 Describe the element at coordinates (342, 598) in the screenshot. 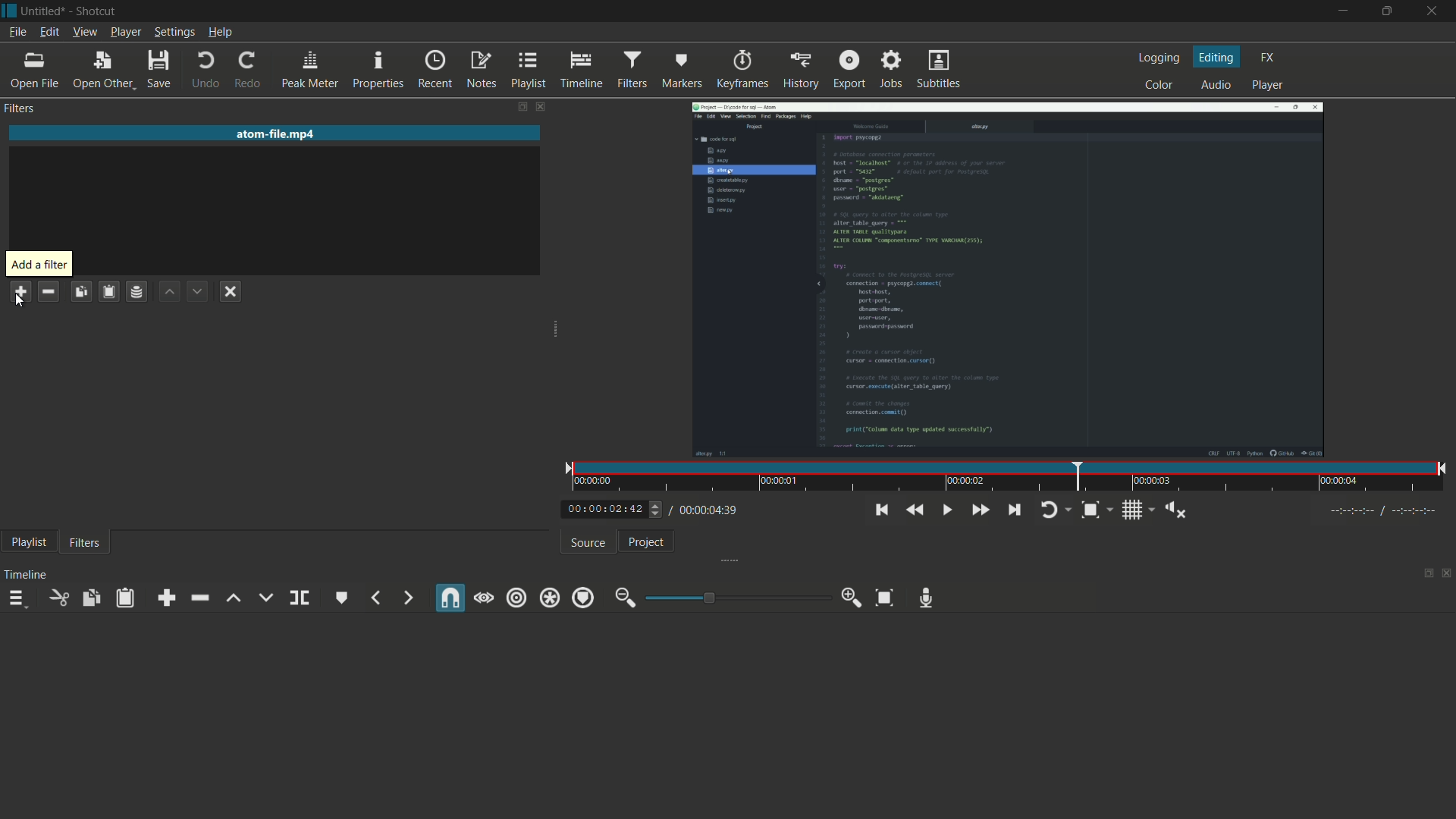

I see `create or edit marker` at that location.